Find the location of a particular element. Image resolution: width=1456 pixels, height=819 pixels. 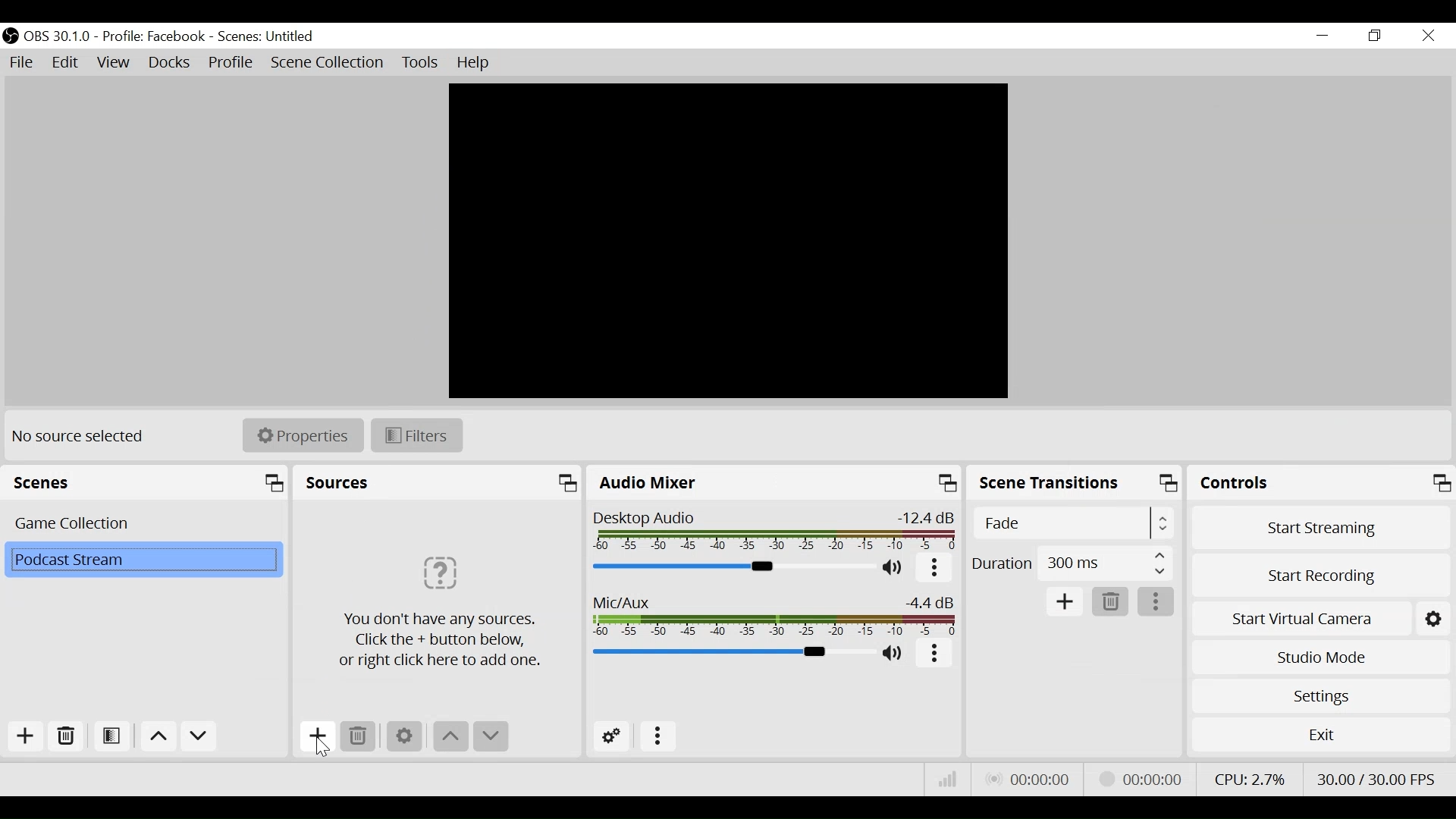

Live Status is located at coordinates (1027, 779).